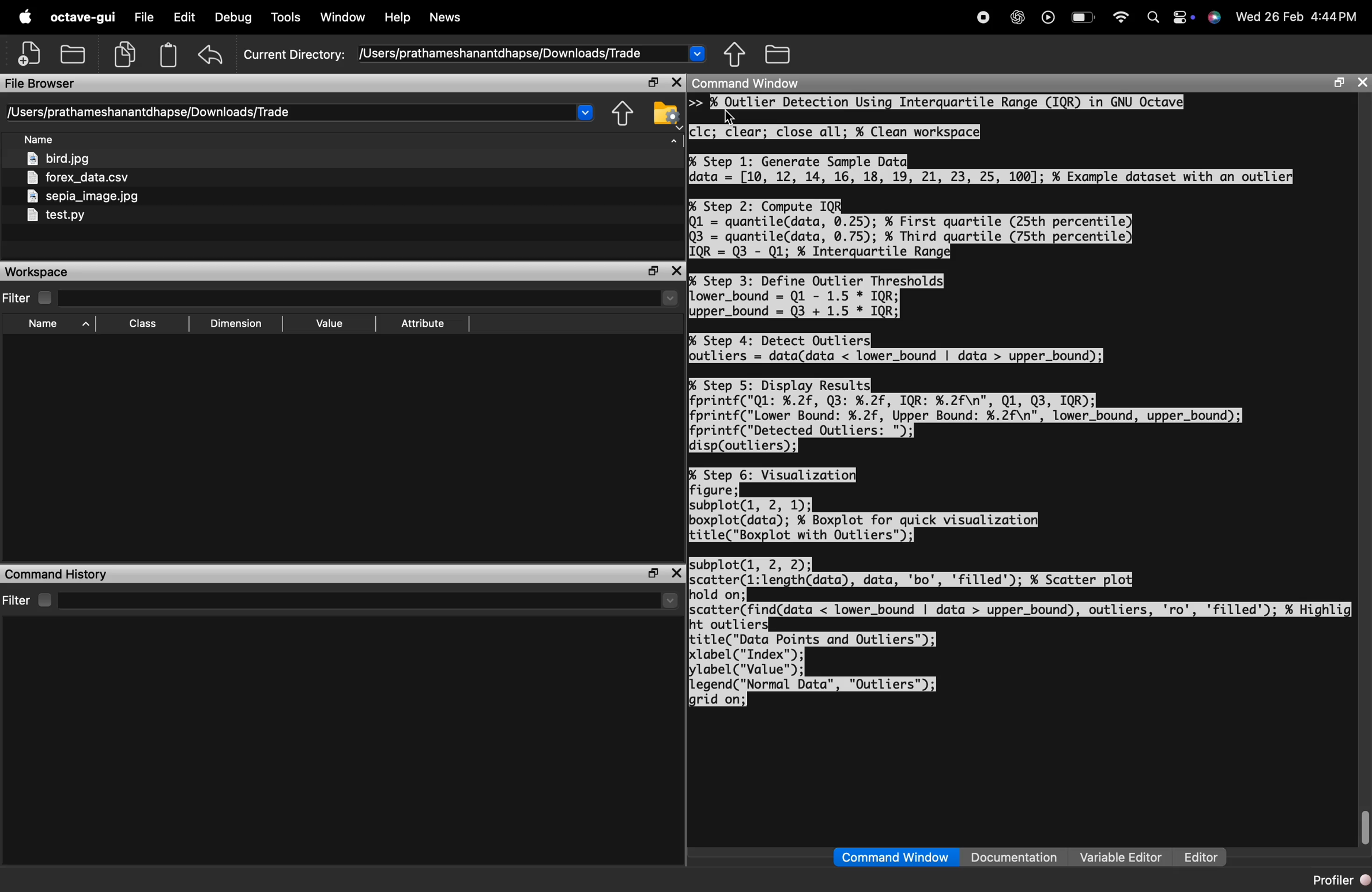  I want to click on action center, so click(1183, 18).